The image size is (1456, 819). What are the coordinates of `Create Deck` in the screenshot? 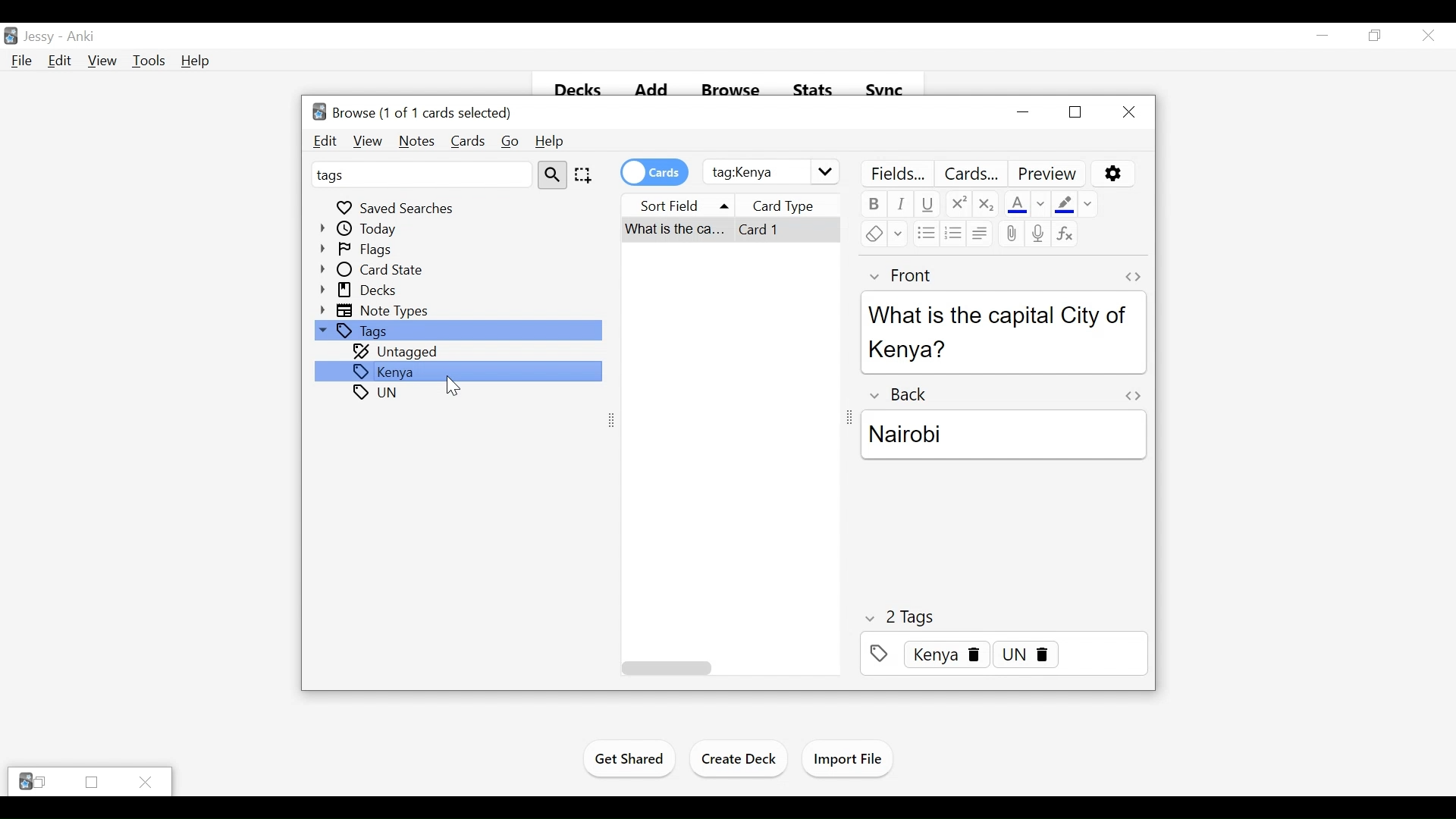 It's located at (740, 758).